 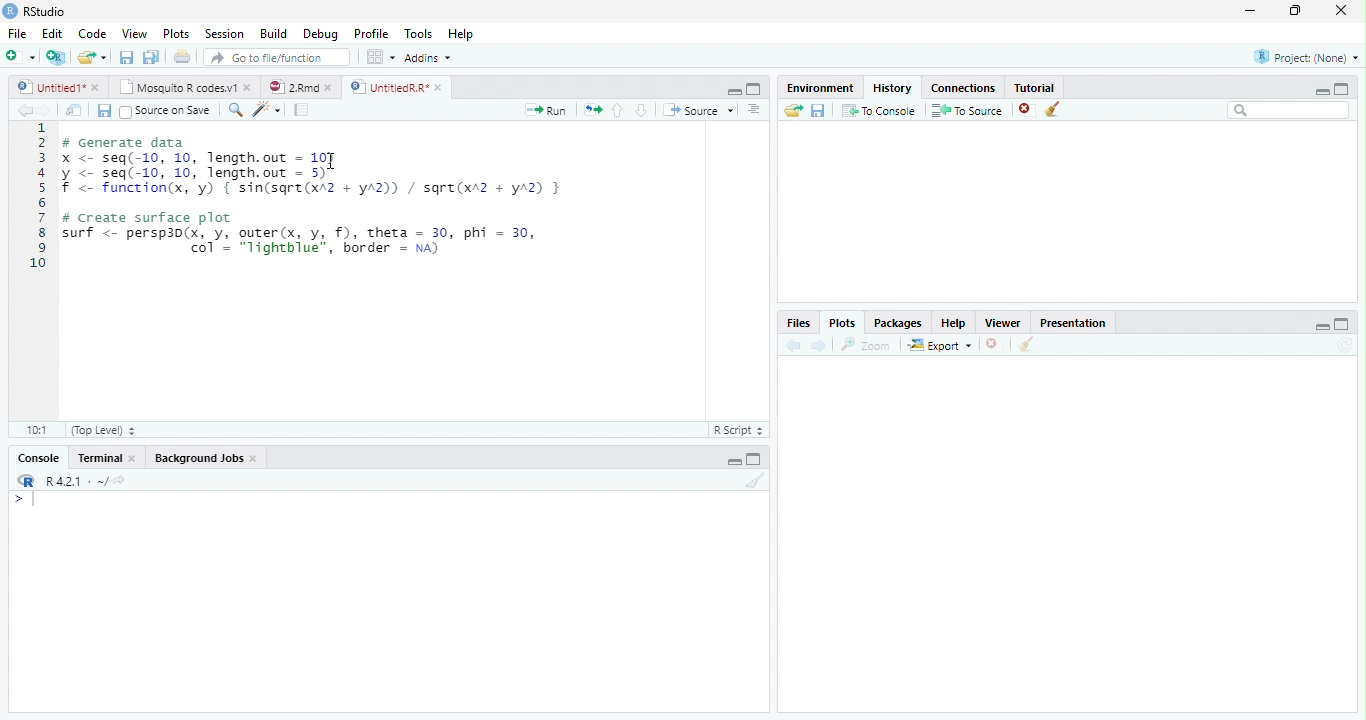 What do you see at coordinates (1343, 324) in the screenshot?
I see `maximize` at bounding box center [1343, 324].